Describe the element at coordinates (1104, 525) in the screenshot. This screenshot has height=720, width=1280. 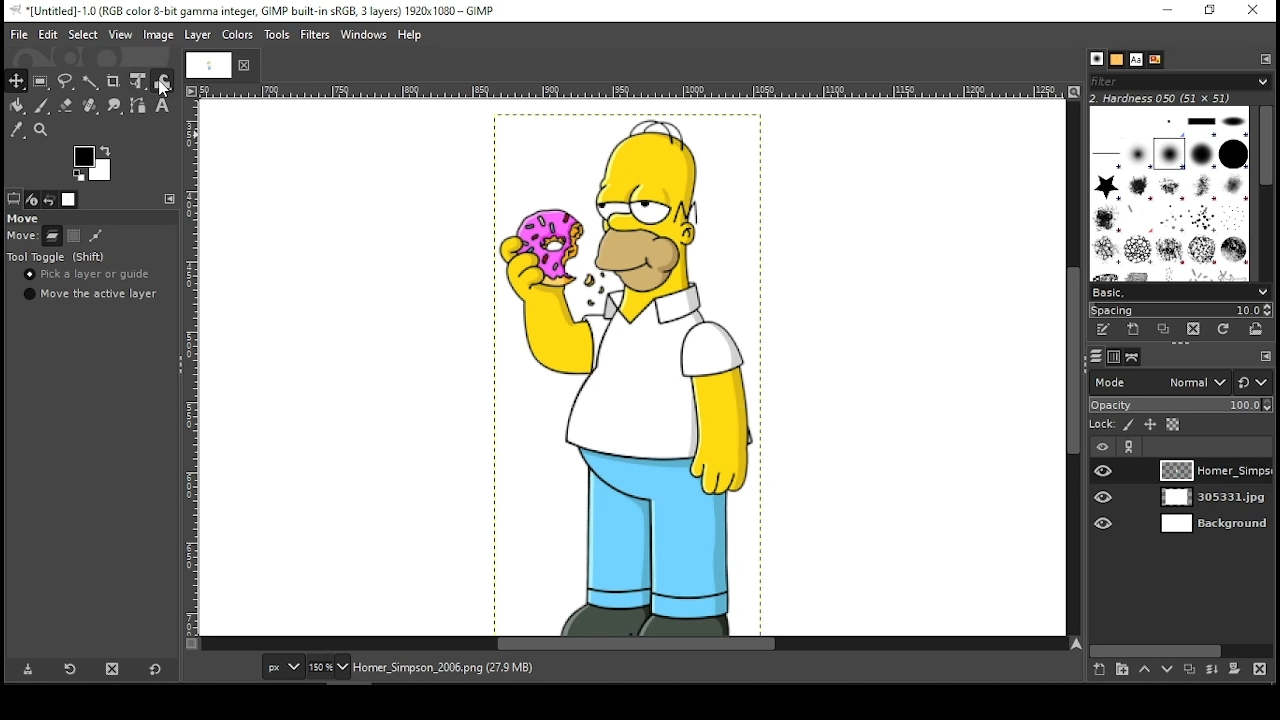
I see `layer visibility on/off` at that location.